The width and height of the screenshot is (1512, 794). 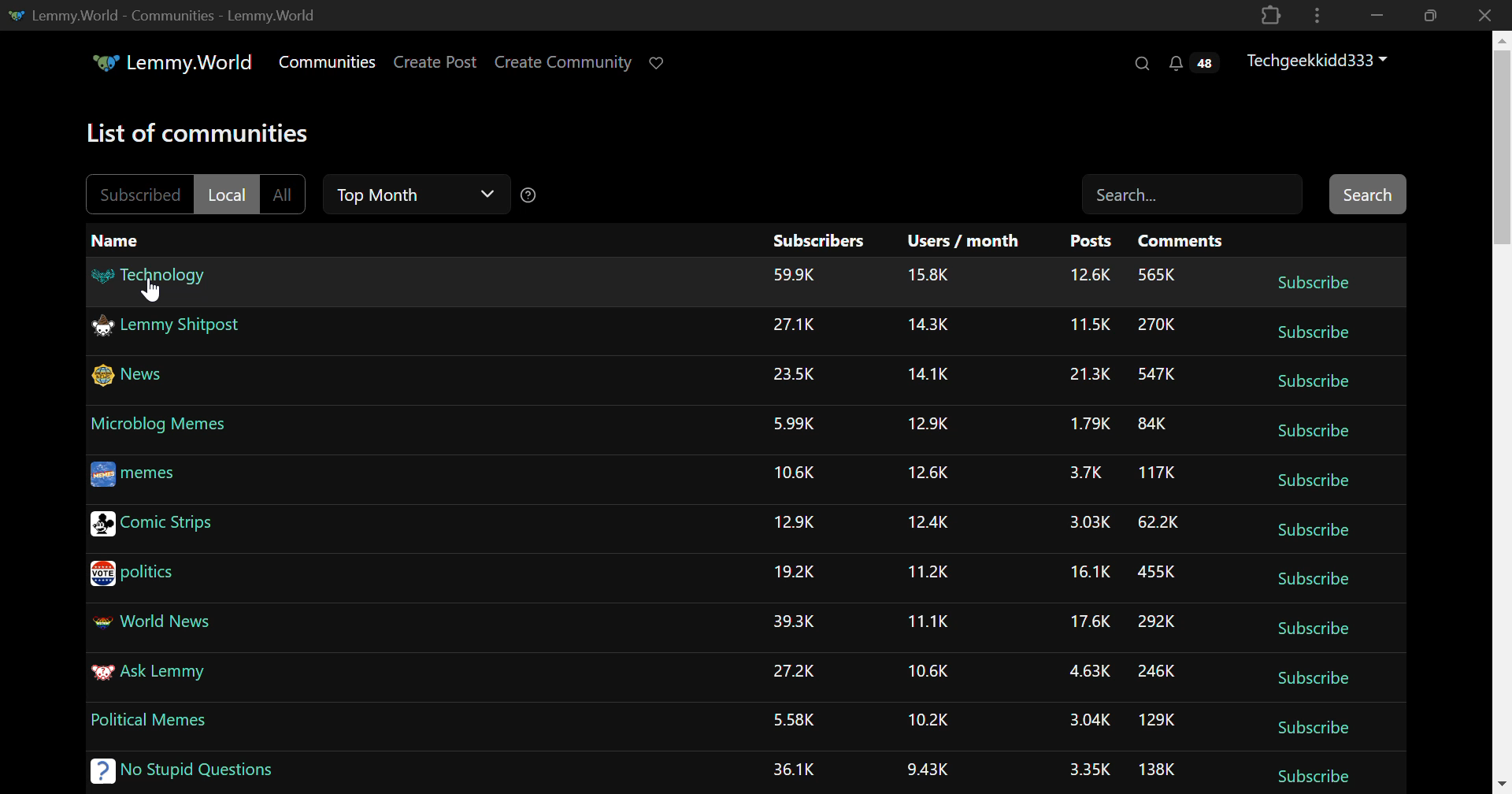 What do you see at coordinates (148, 276) in the screenshot?
I see `Technology` at bounding box center [148, 276].